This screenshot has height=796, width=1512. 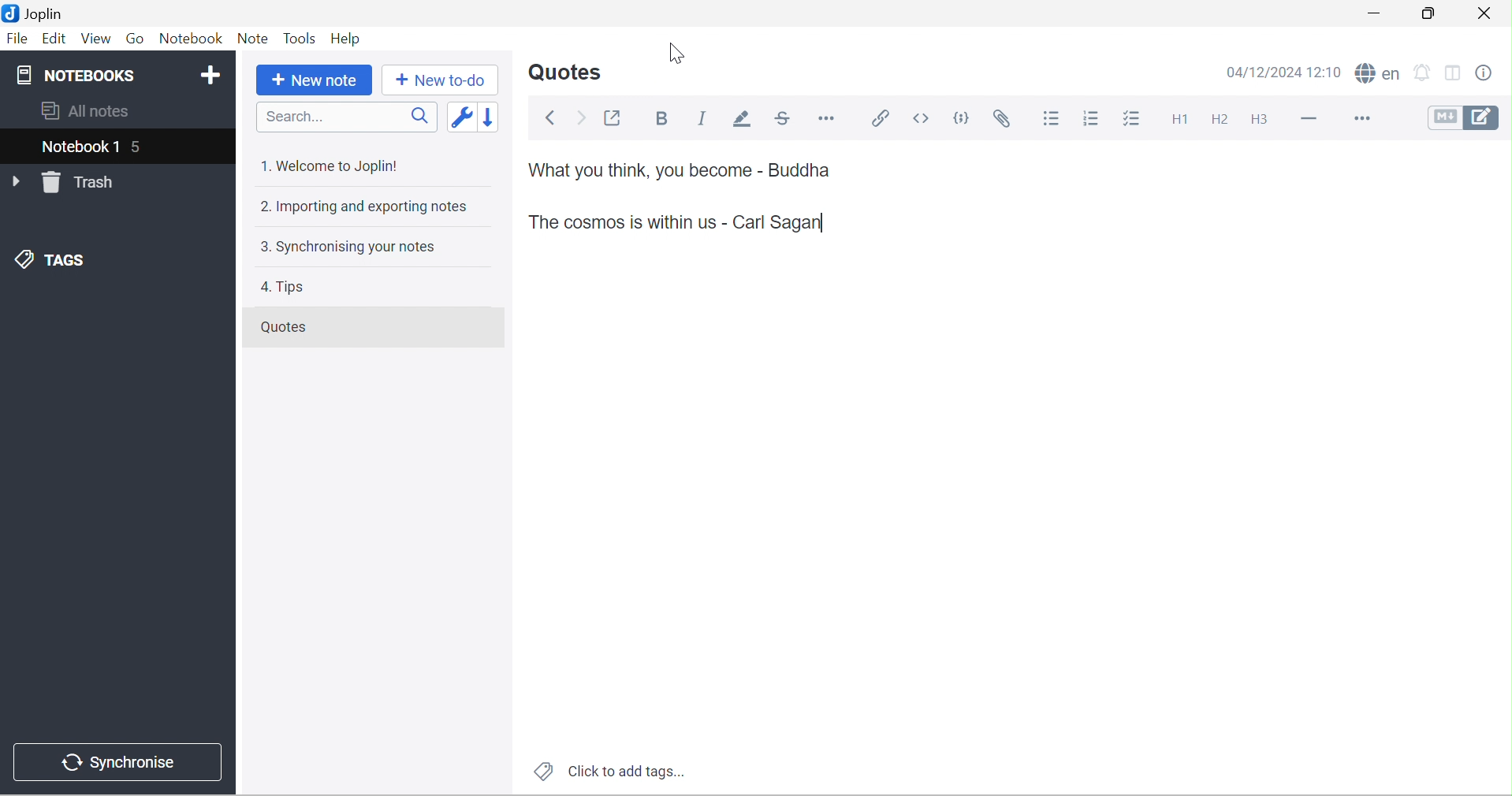 I want to click on Toggle editor layout, so click(x=1456, y=71).